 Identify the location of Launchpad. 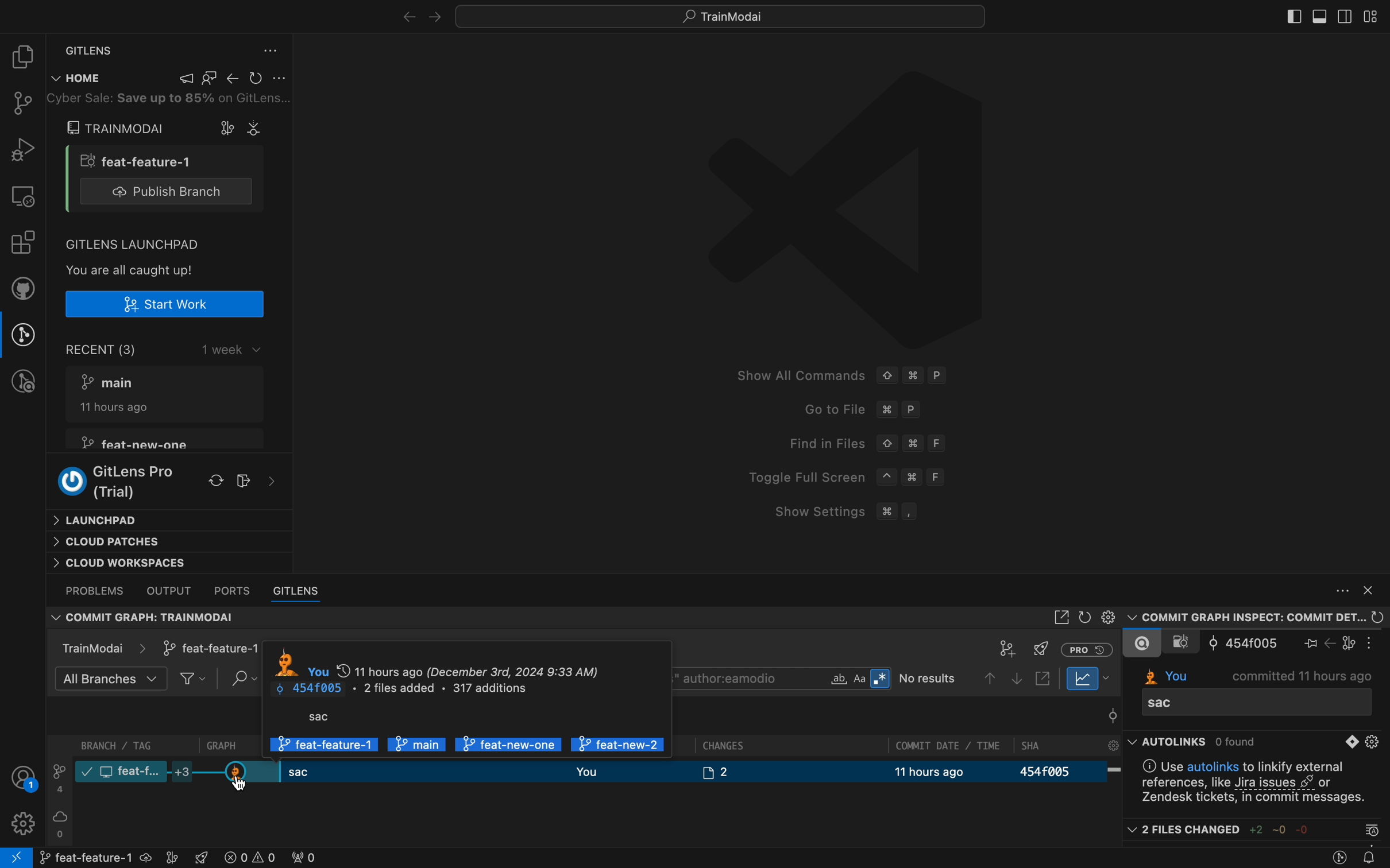
(155, 519).